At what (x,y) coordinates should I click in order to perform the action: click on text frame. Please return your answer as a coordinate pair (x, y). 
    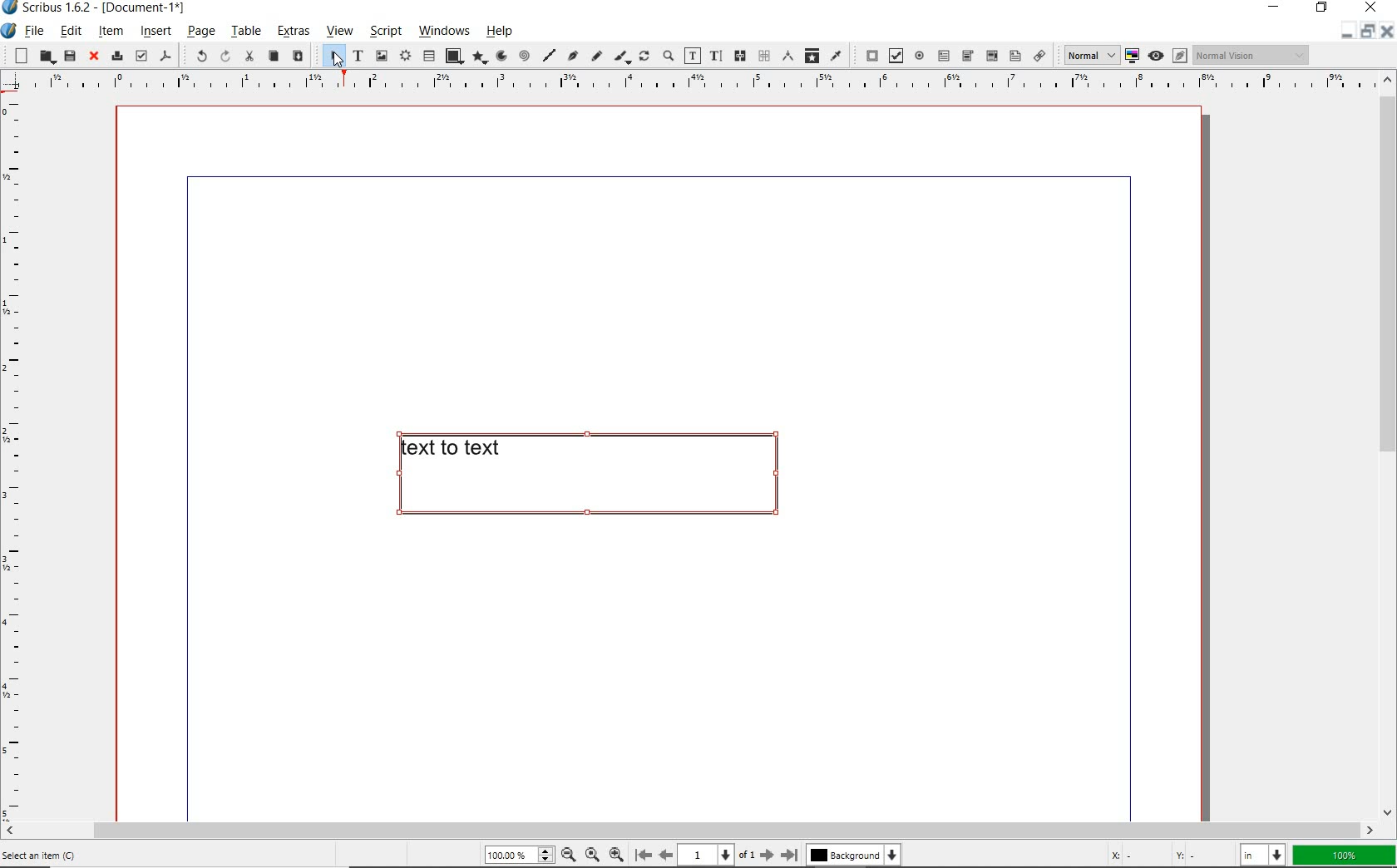
    Looking at the image, I should click on (357, 57).